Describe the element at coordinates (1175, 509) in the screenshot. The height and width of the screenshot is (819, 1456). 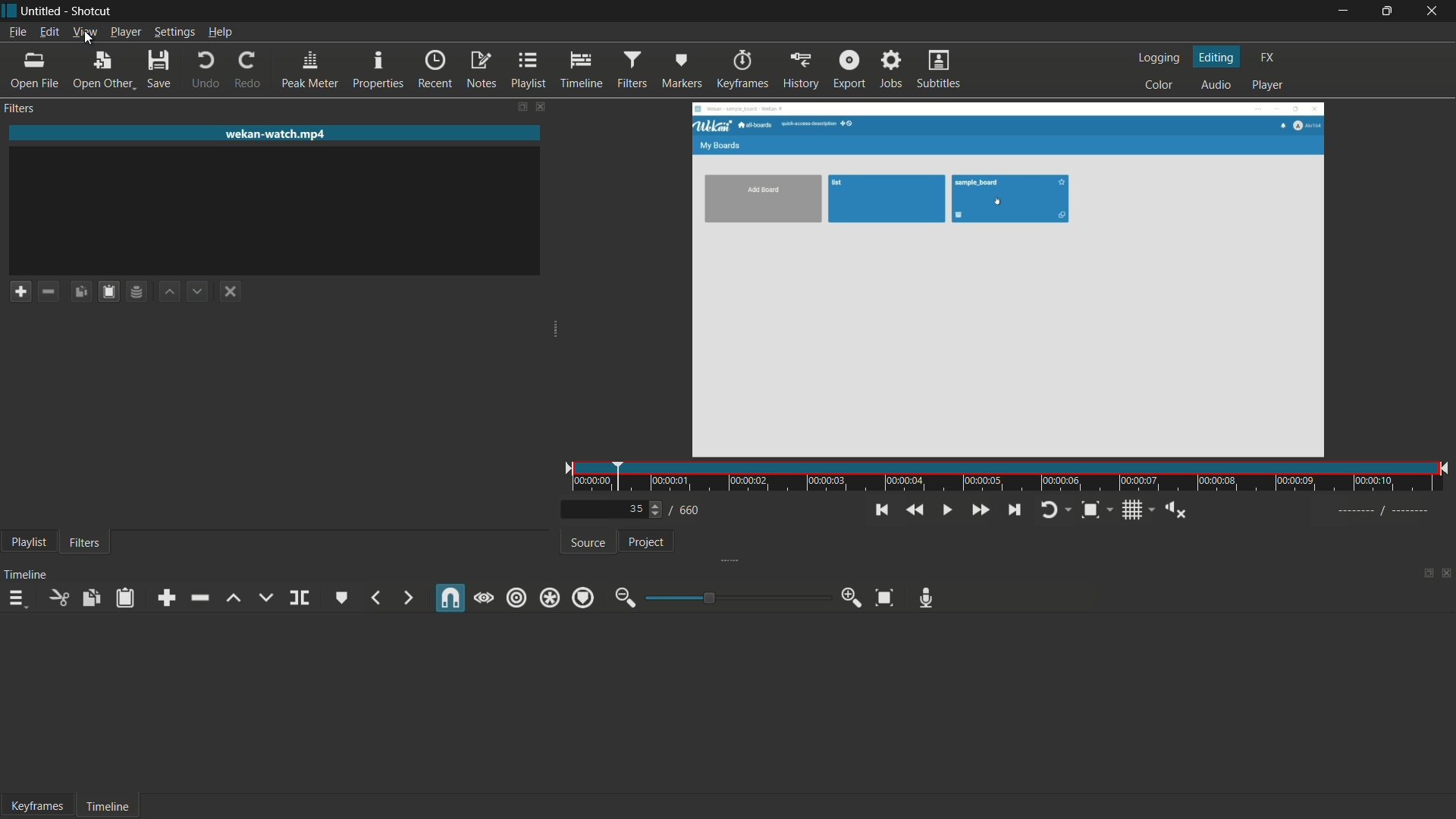
I see `show volume control` at that location.